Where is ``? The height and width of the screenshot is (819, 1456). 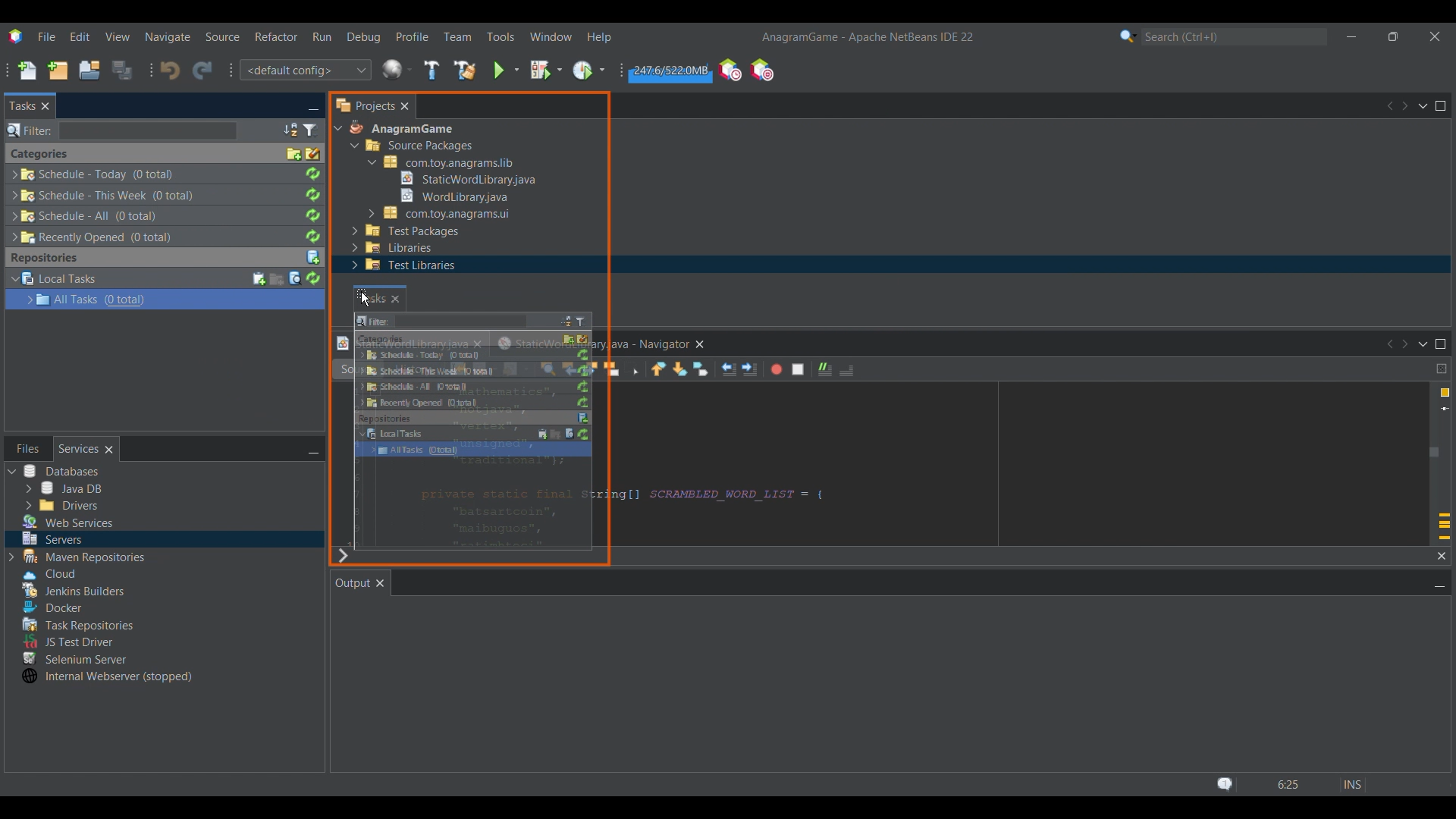  is located at coordinates (69, 522).